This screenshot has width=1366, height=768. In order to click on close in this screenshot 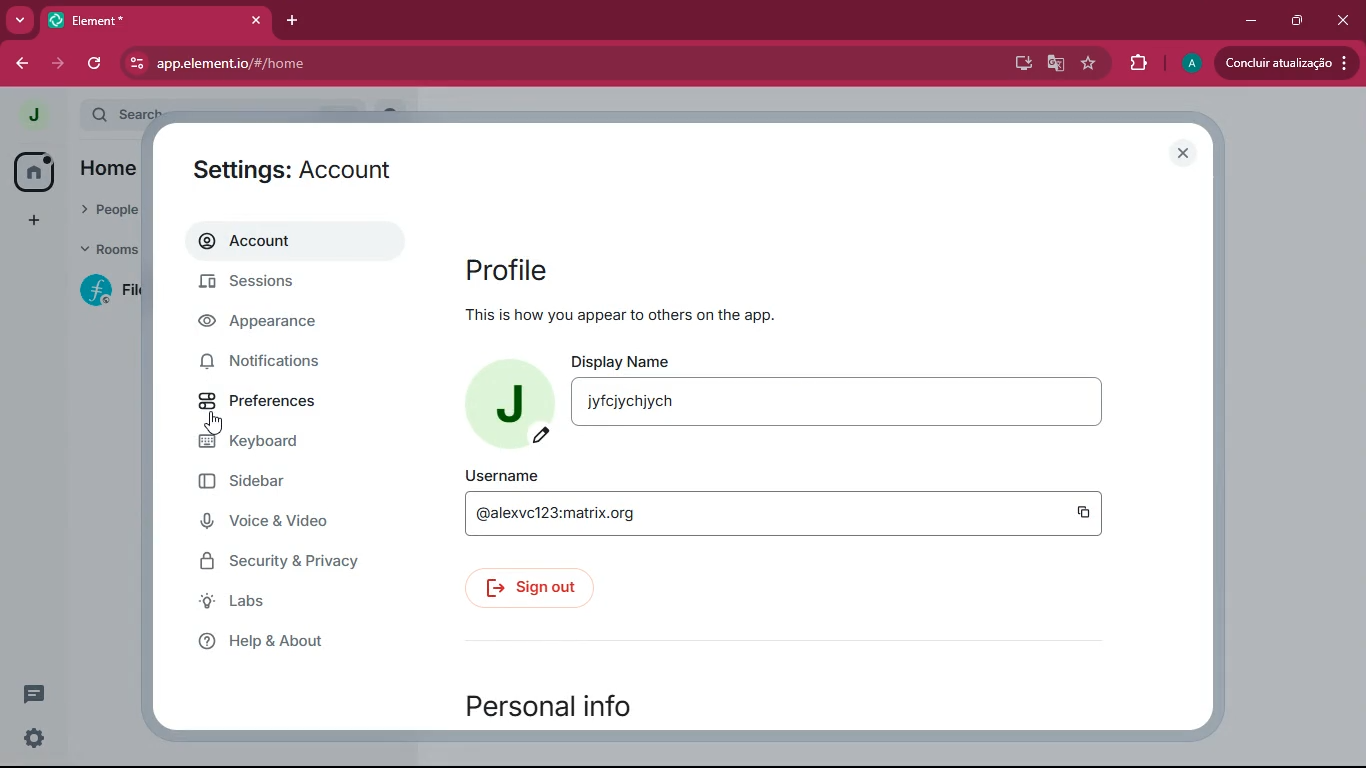, I will do `click(1185, 153)`.